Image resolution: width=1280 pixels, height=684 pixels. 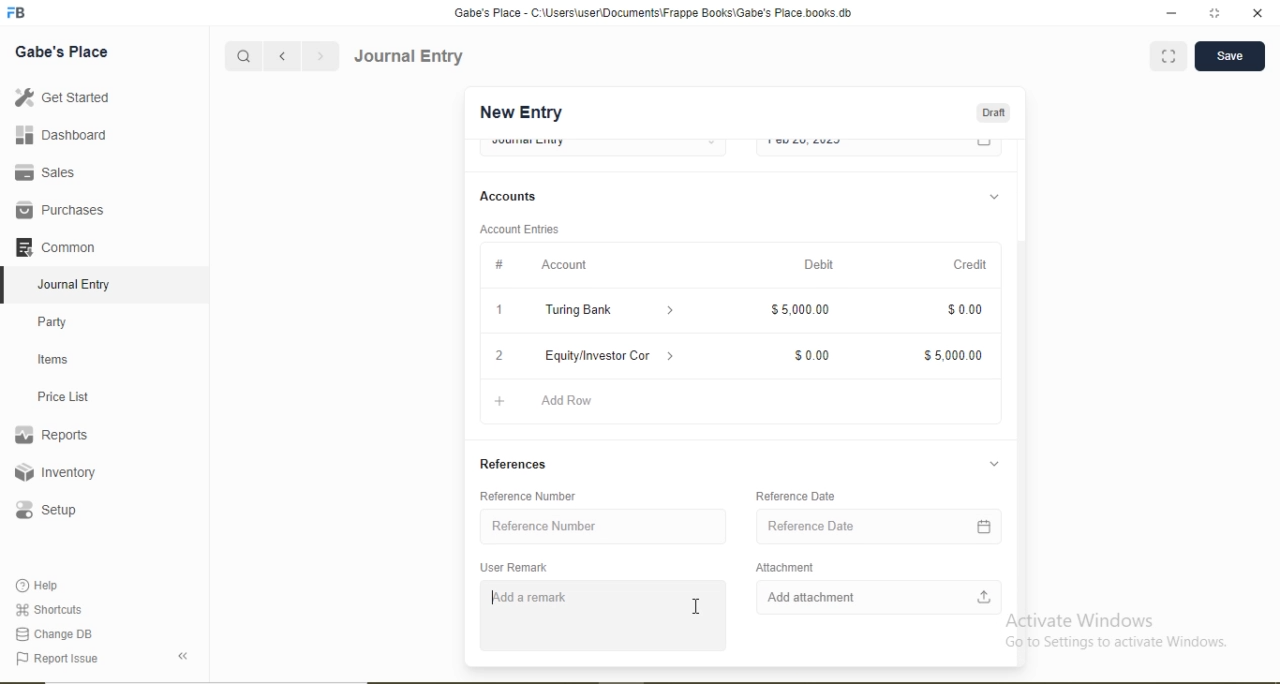 I want to click on Journal Entry, so click(x=76, y=285).